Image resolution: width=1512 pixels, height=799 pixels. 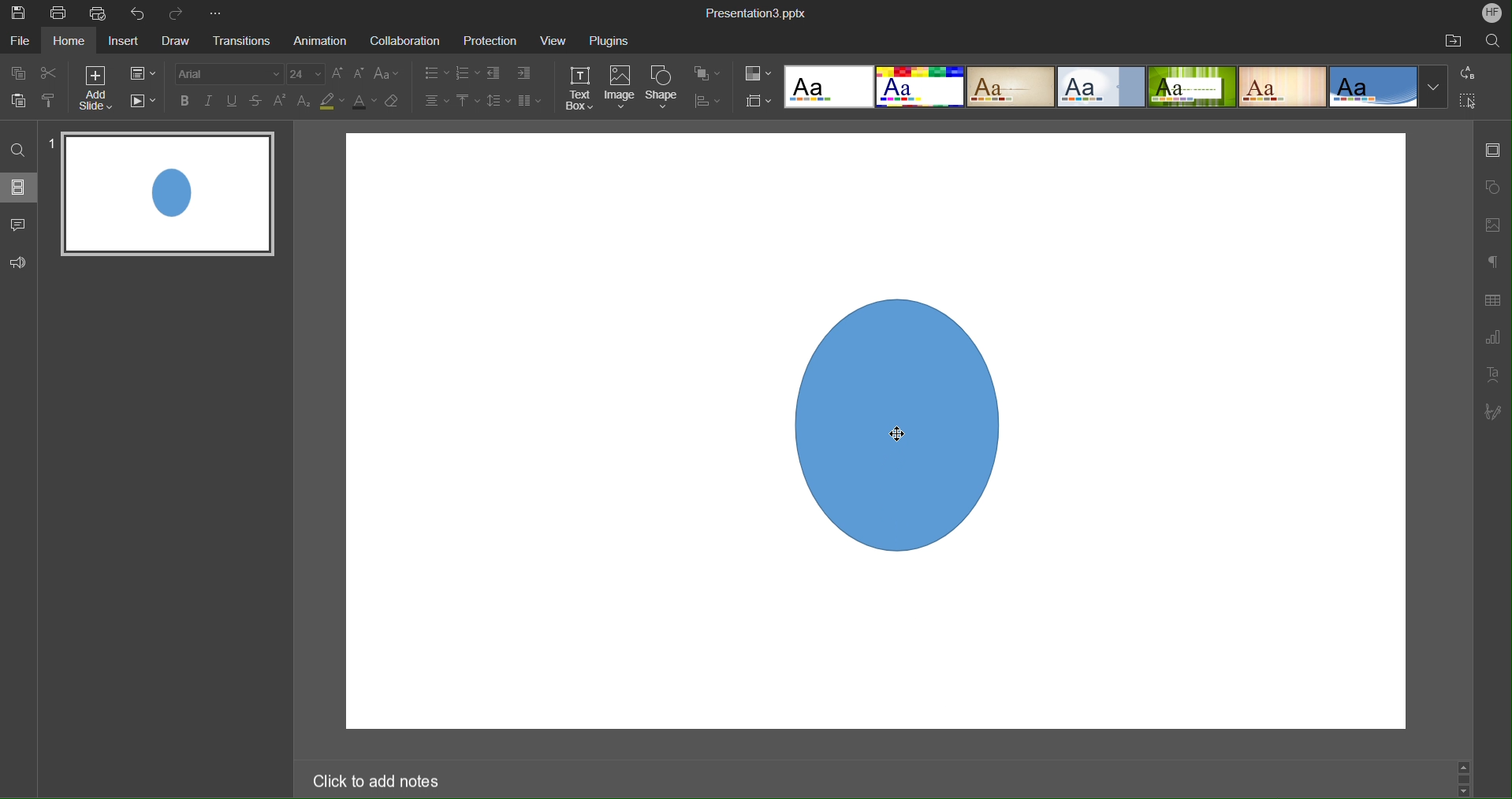 I want to click on Align, so click(x=713, y=102).